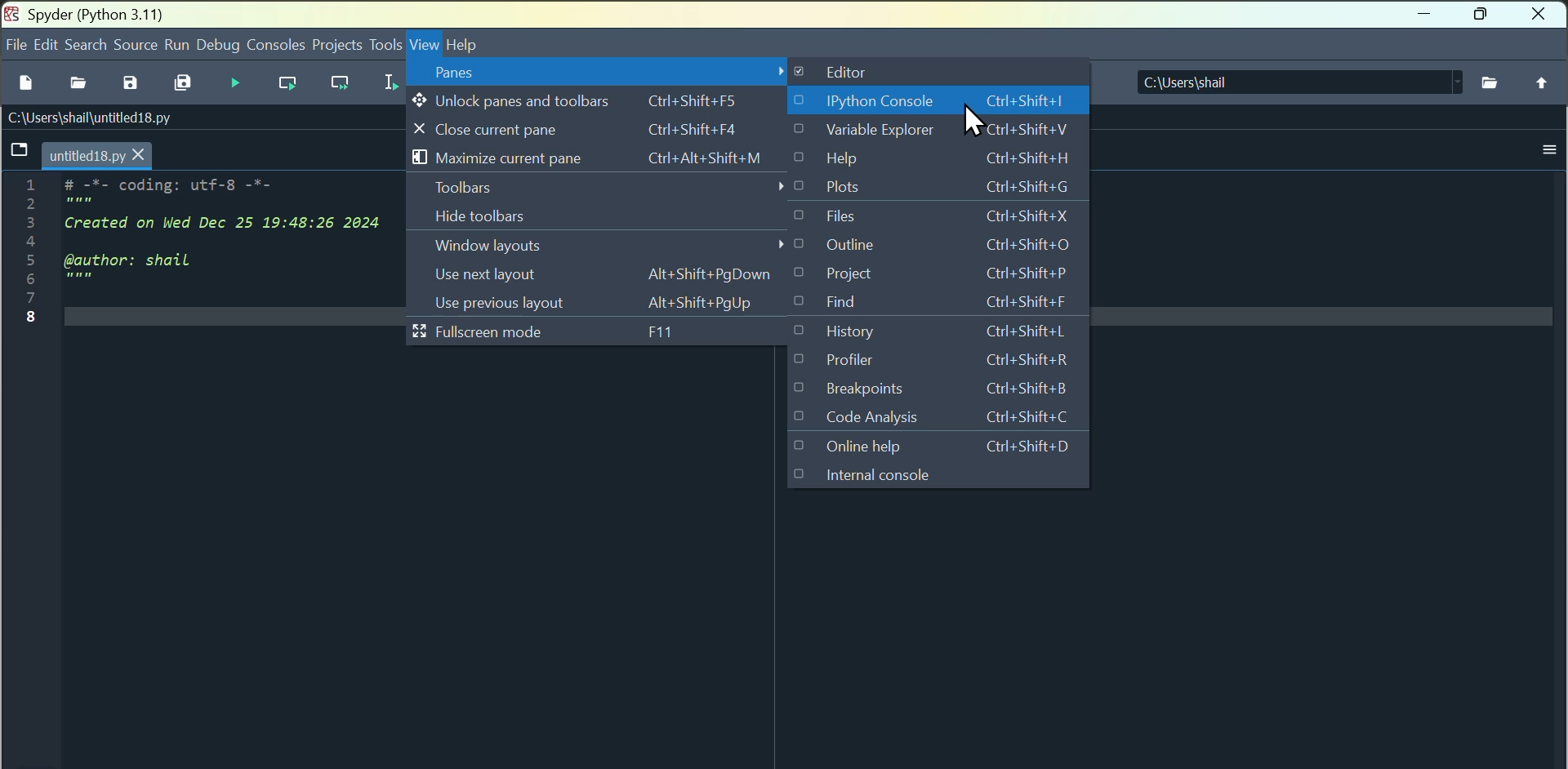 Image resolution: width=1568 pixels, height=769 pixels. What do you see at coordinates (564, 333) in the screenshot?
I see `Full screen mode` at bounding box center [564, 333].